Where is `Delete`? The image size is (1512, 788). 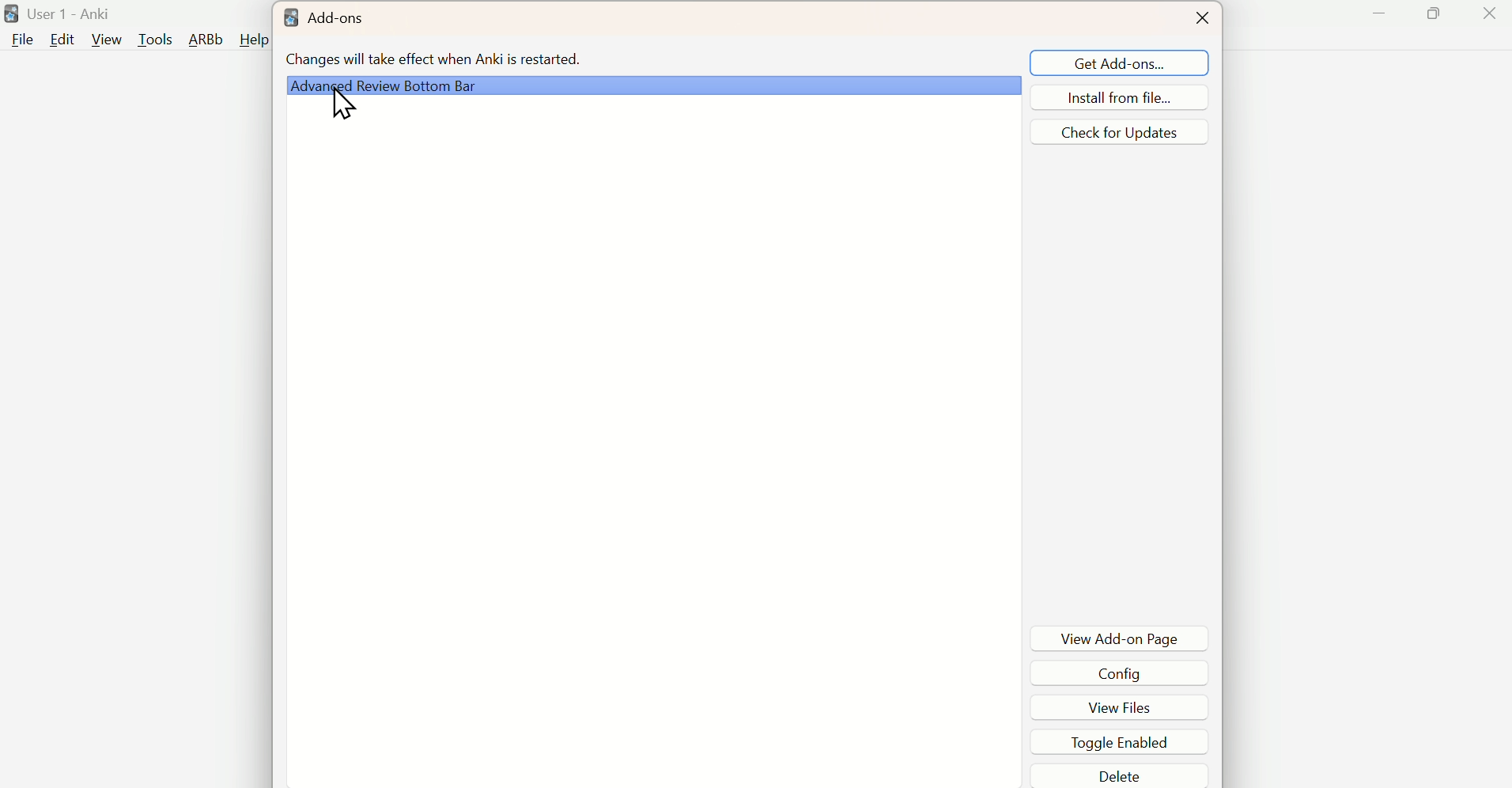
Delete is located at coordinates (1120, 777).